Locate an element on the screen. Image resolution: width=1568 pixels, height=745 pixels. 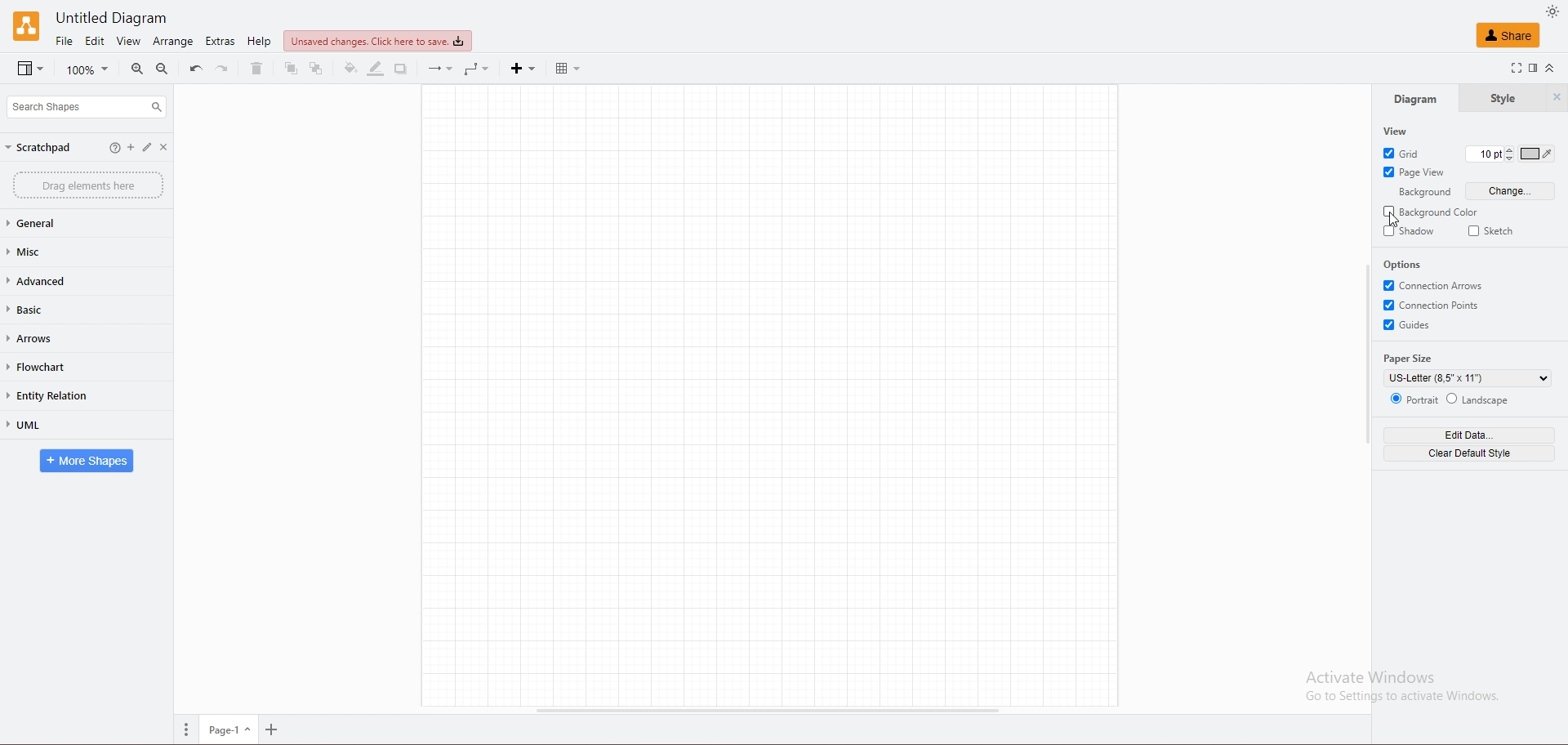
click to save is located at coordinates (377, 40).